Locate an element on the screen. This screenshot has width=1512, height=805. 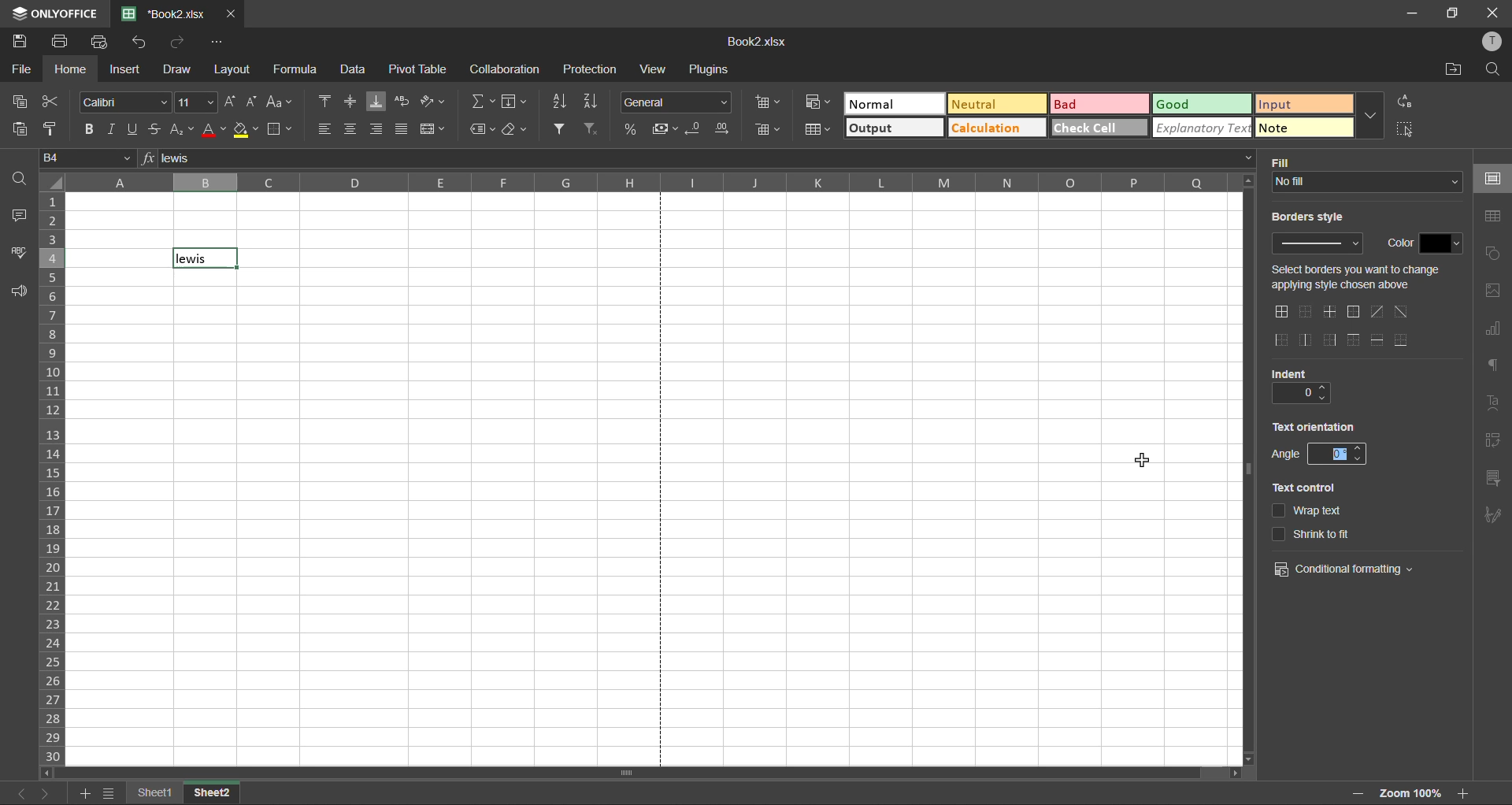
comments is located at coordinates (22, 218).